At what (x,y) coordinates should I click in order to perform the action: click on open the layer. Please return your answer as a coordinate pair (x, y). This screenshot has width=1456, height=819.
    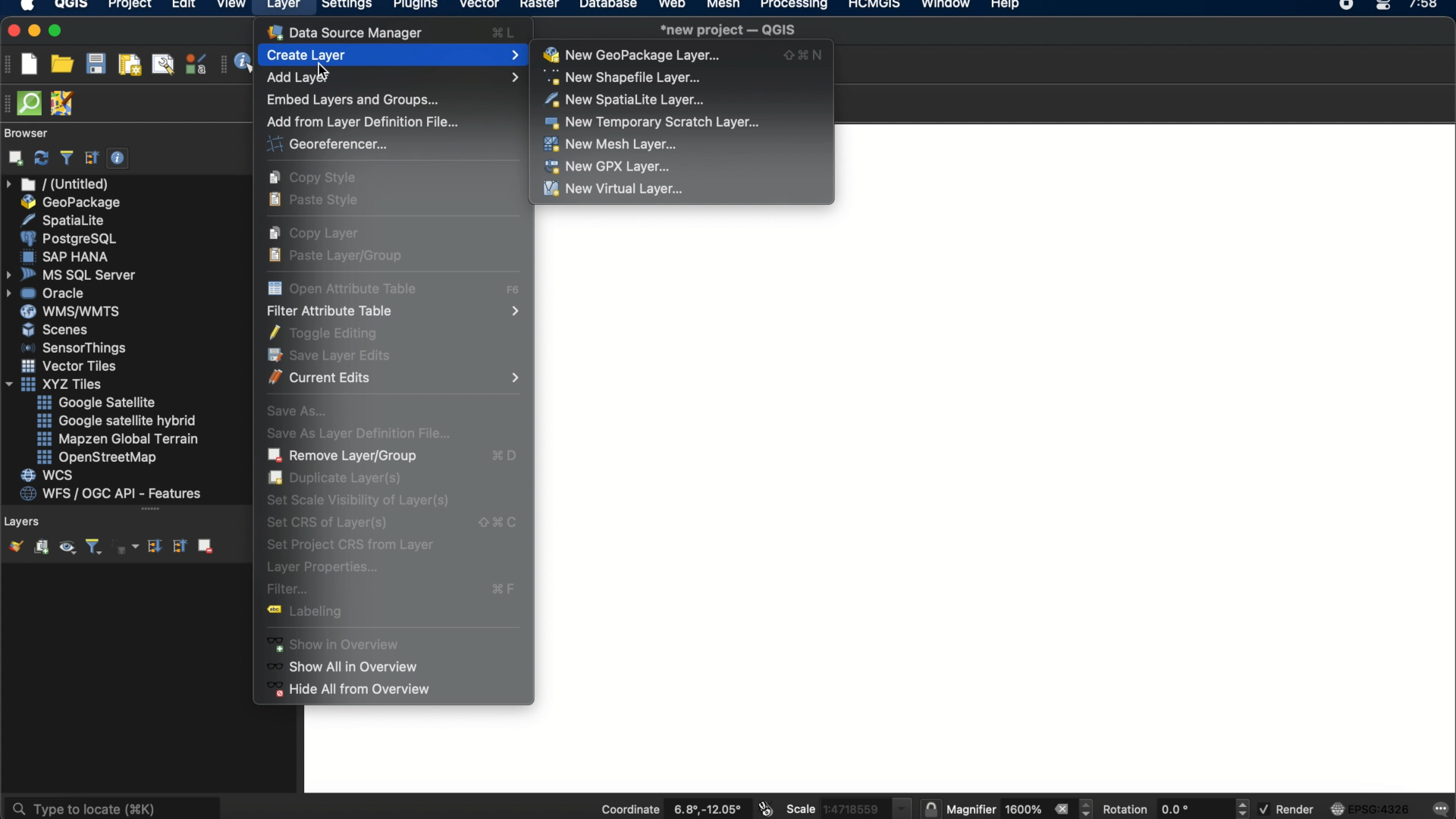
    Looking at the image, I should click on (12, 546).